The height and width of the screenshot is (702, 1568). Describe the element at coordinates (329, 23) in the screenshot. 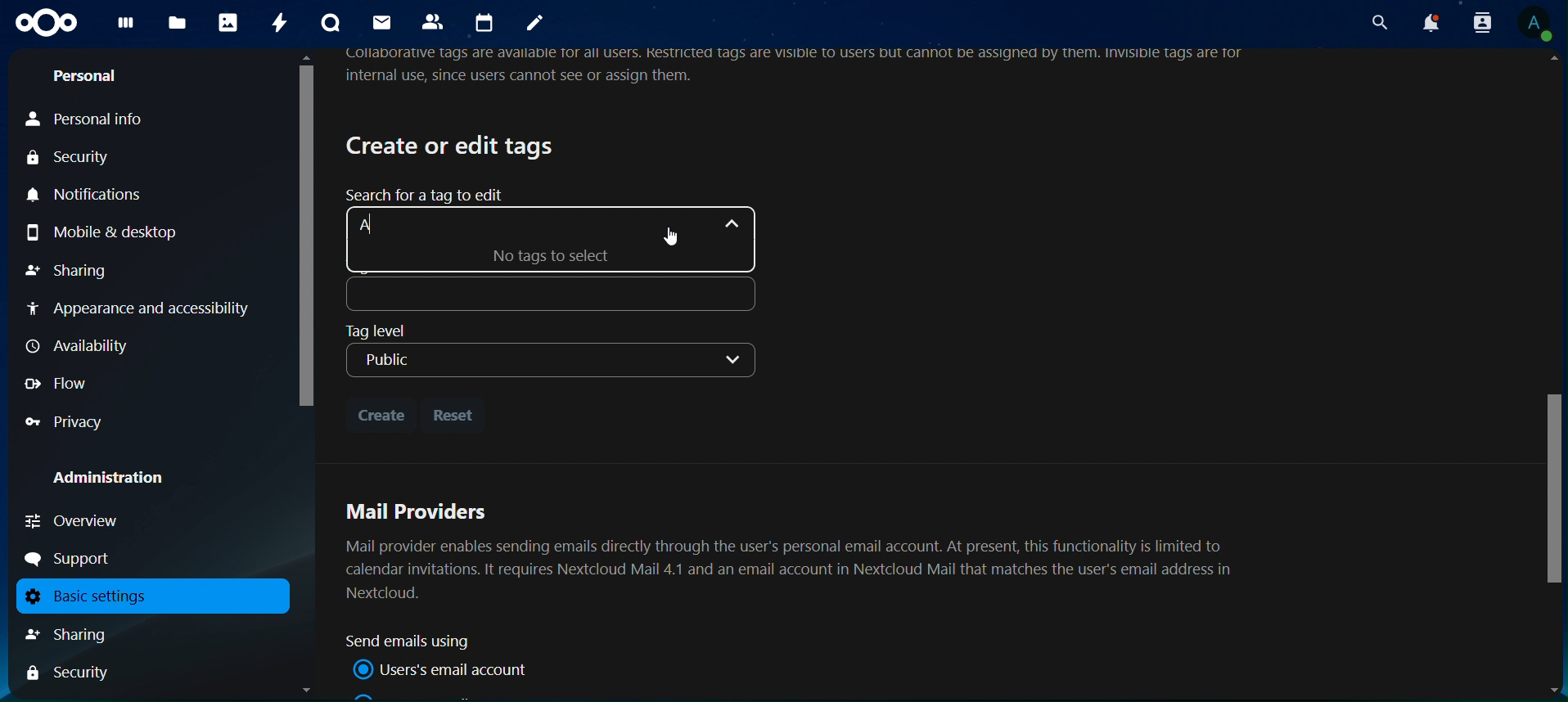

I see `talk` at that location.